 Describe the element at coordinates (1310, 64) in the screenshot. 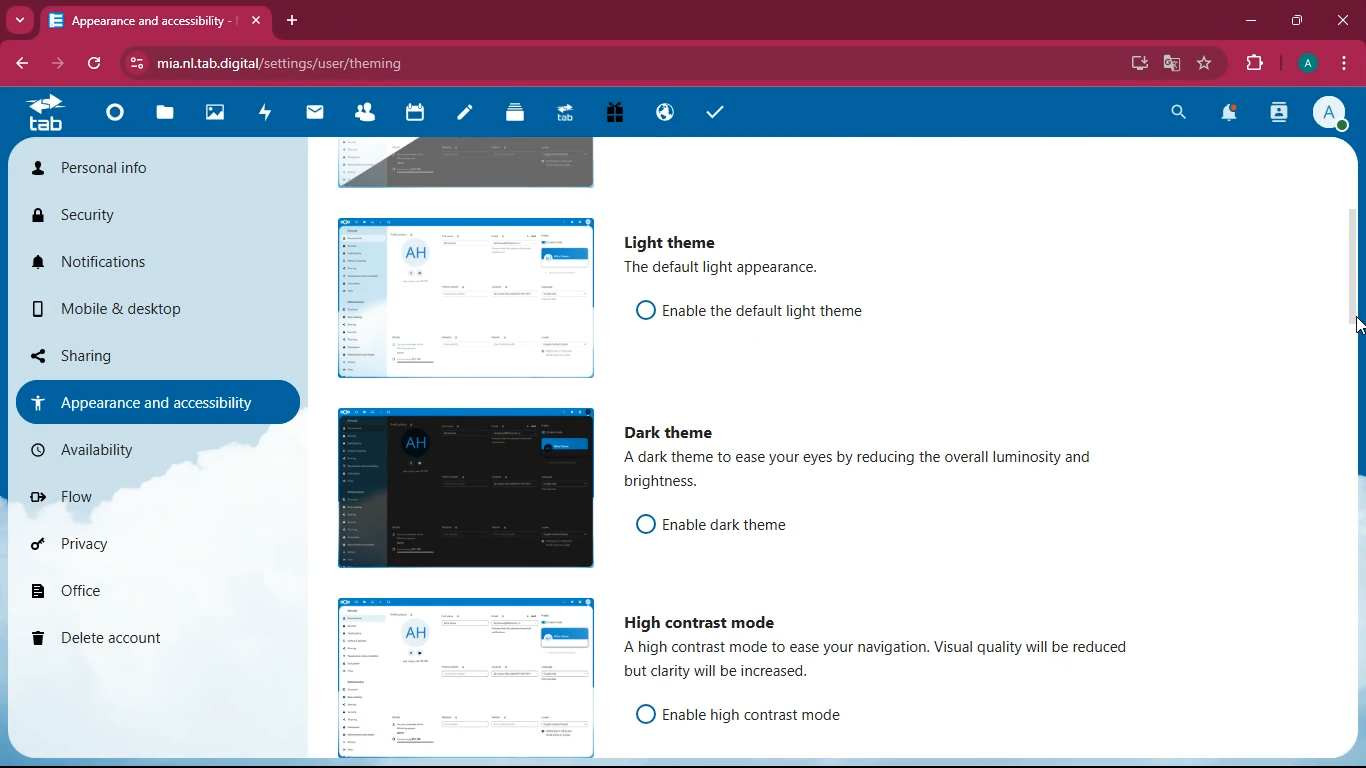

I see `profile` at that location.